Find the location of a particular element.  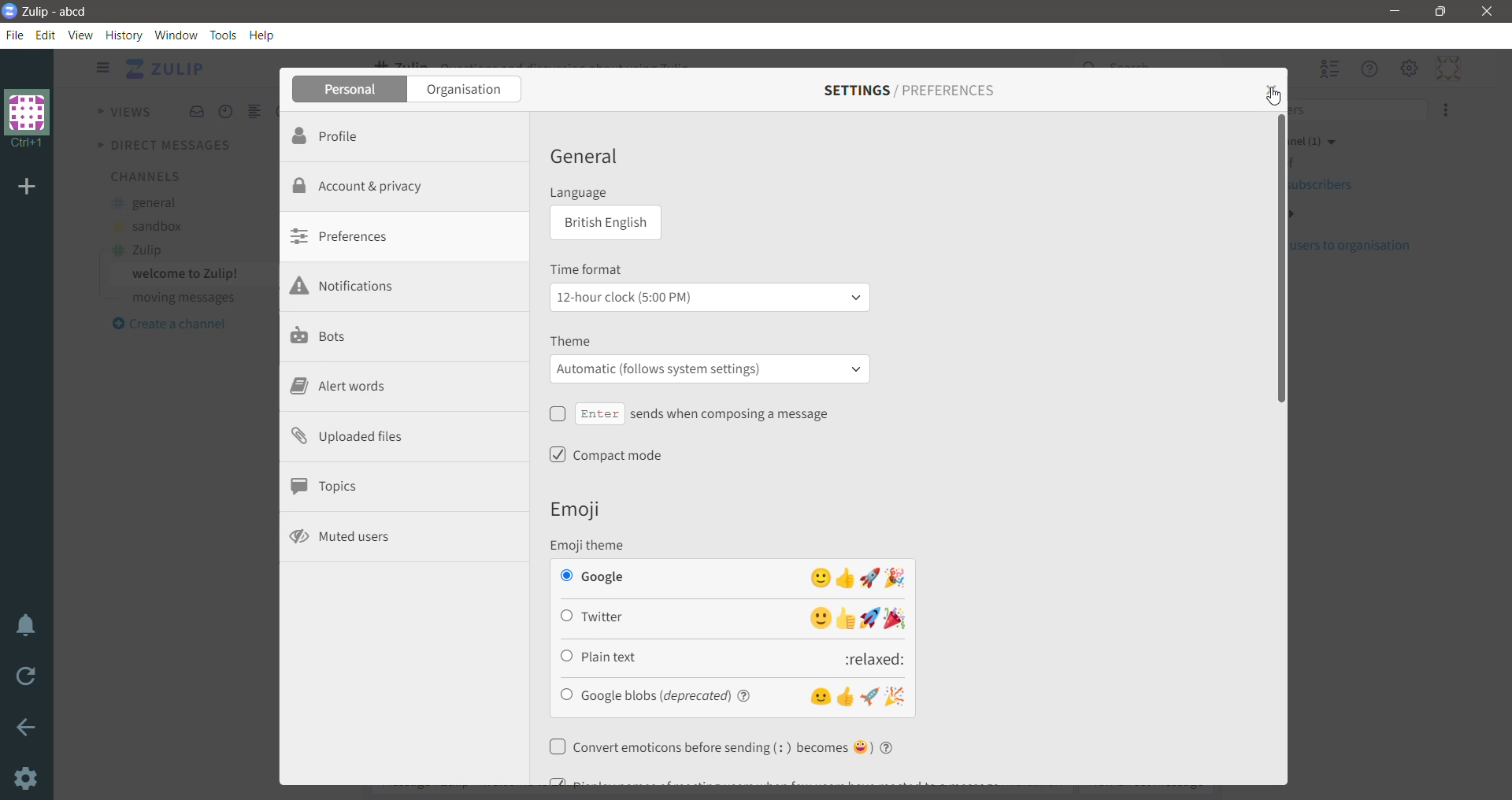

Views is located at coordinates (127, 111).